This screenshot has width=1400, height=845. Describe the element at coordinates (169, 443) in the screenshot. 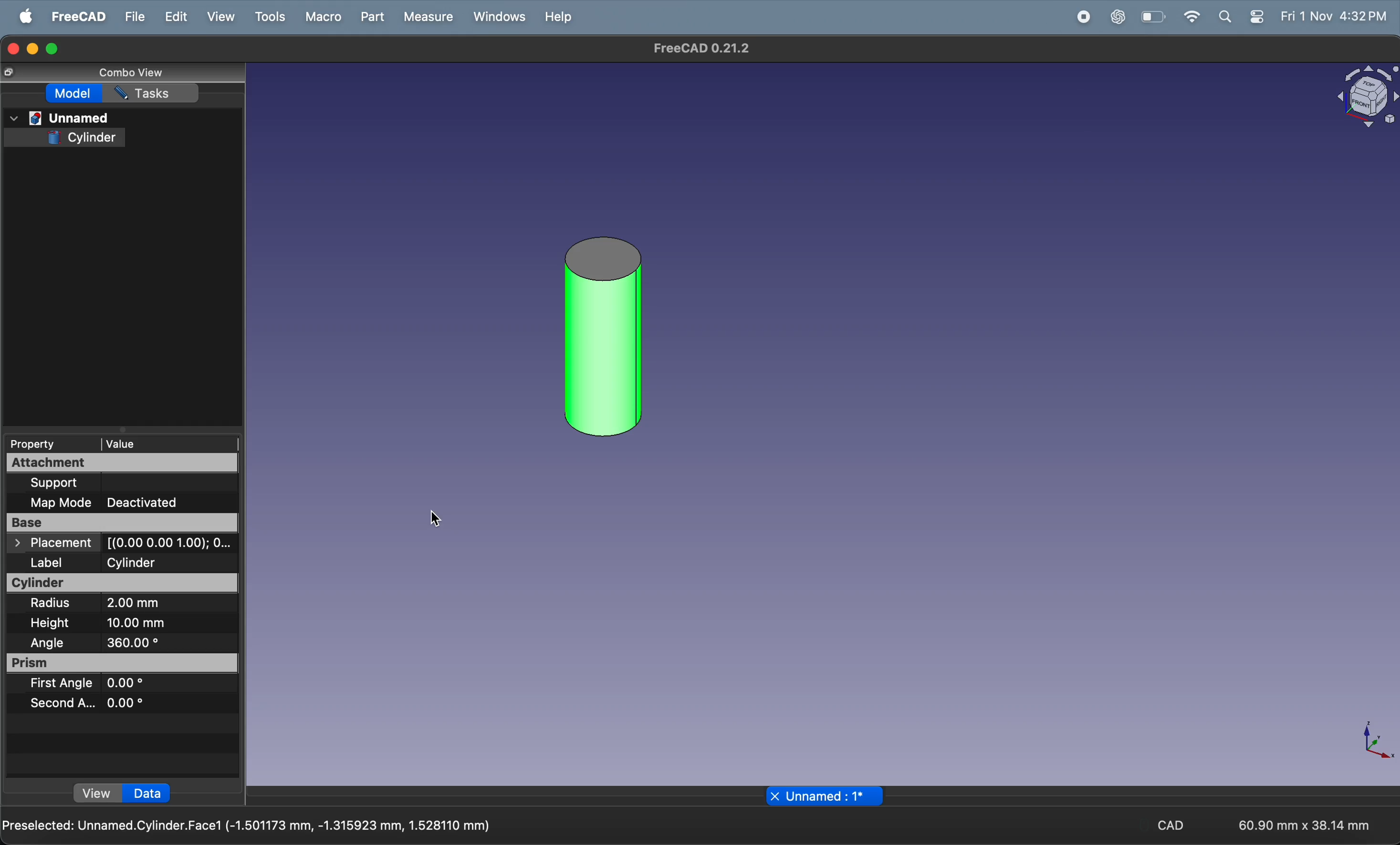

I see `value` at that location.